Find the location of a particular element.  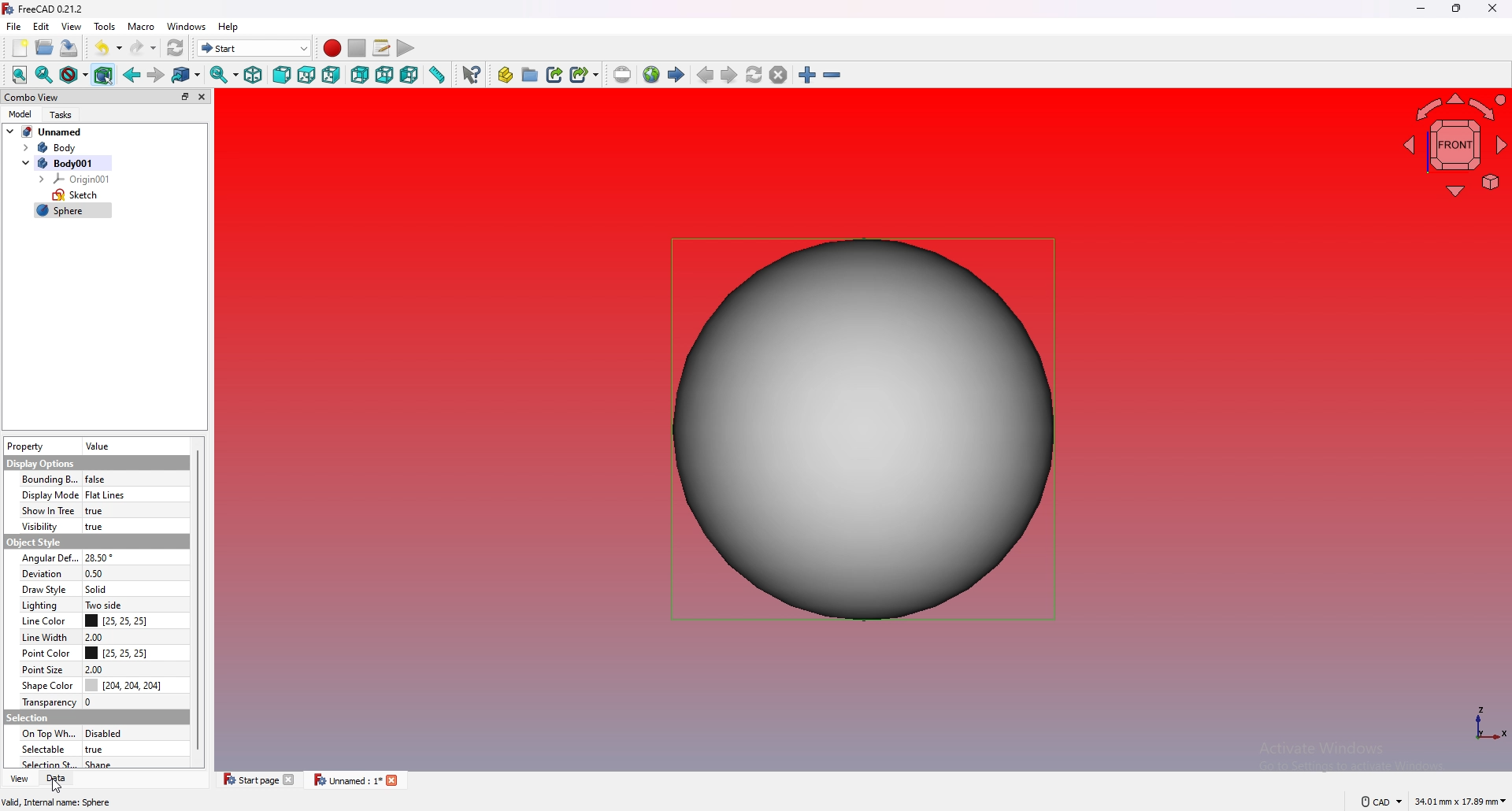

measure distance is located at coordinates (439, 74).